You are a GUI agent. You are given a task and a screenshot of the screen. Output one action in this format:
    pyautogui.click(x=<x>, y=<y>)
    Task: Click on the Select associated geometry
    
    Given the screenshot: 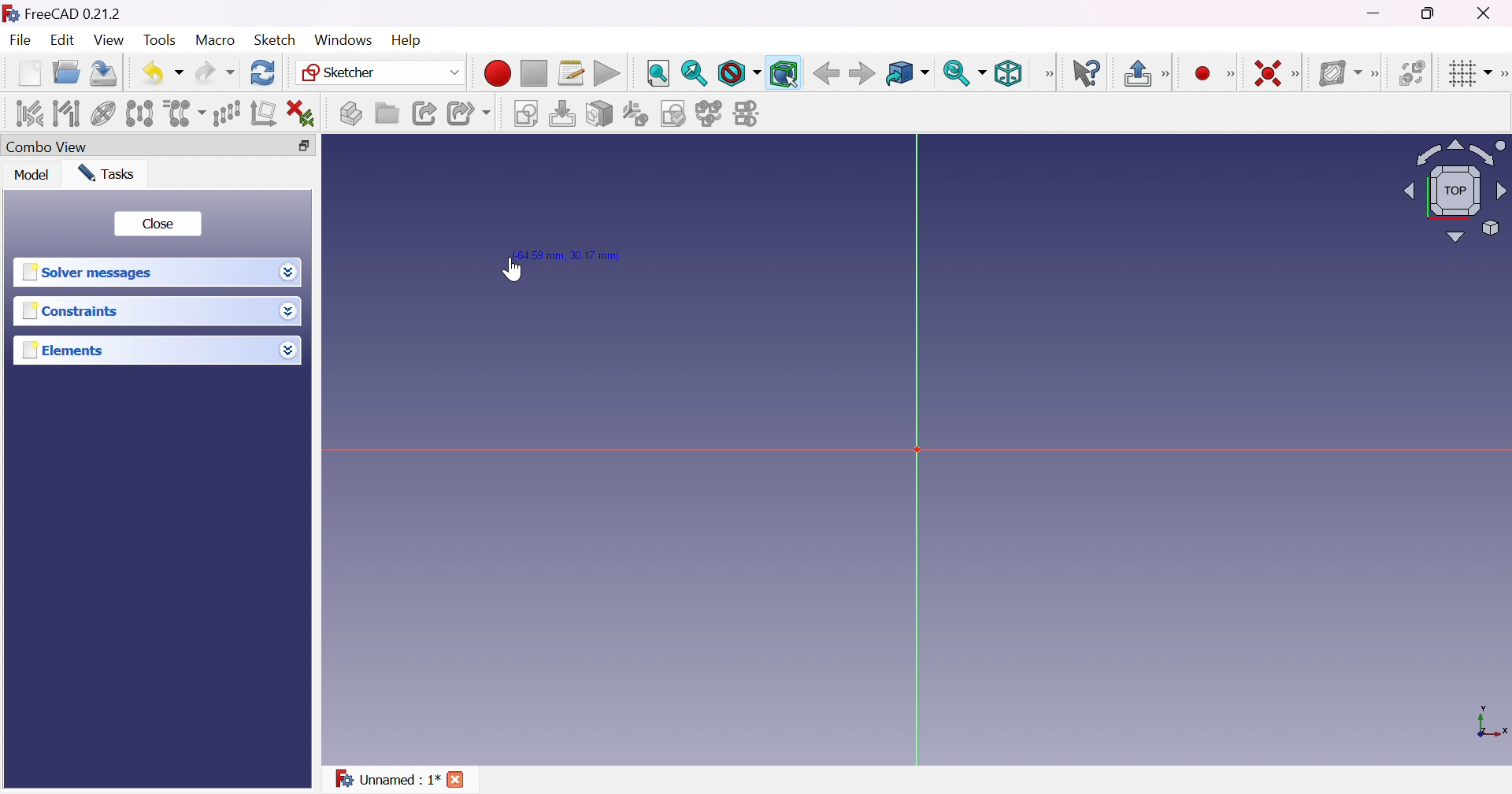 What is the action you would take?
    pyautogui.click(x=65, y=113)
    